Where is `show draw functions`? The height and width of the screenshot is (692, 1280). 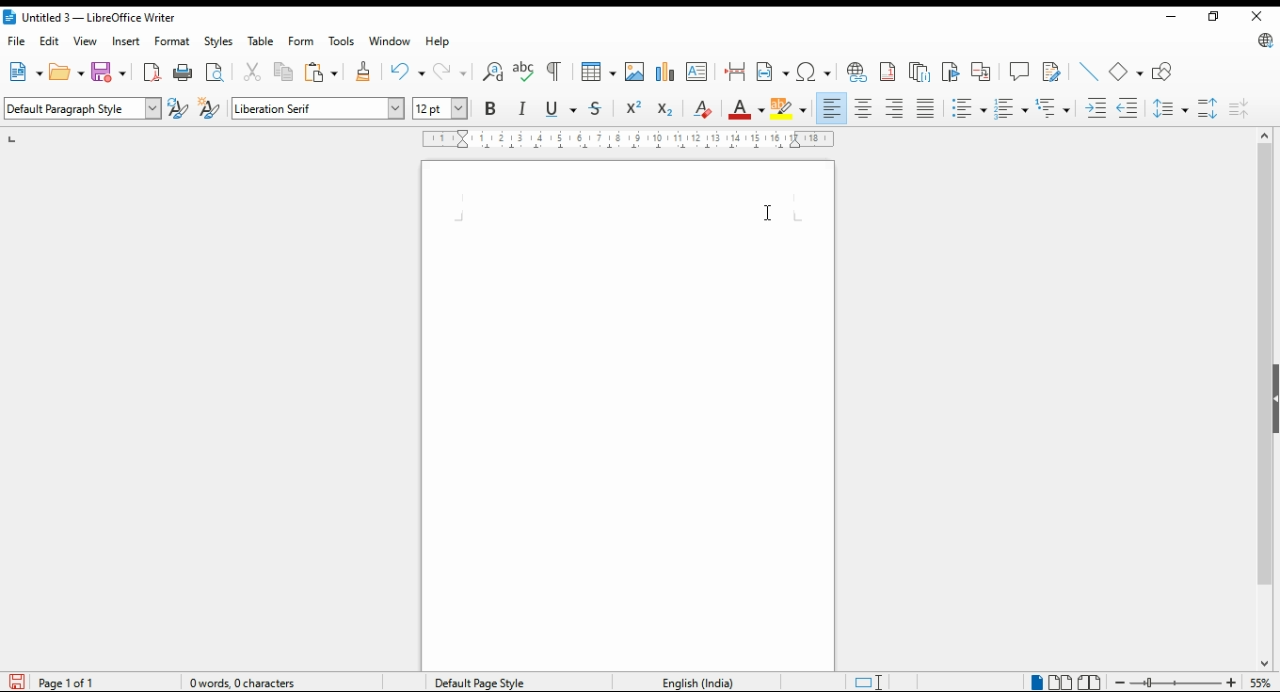
show draw functions is located at coordinates (1165, 72).